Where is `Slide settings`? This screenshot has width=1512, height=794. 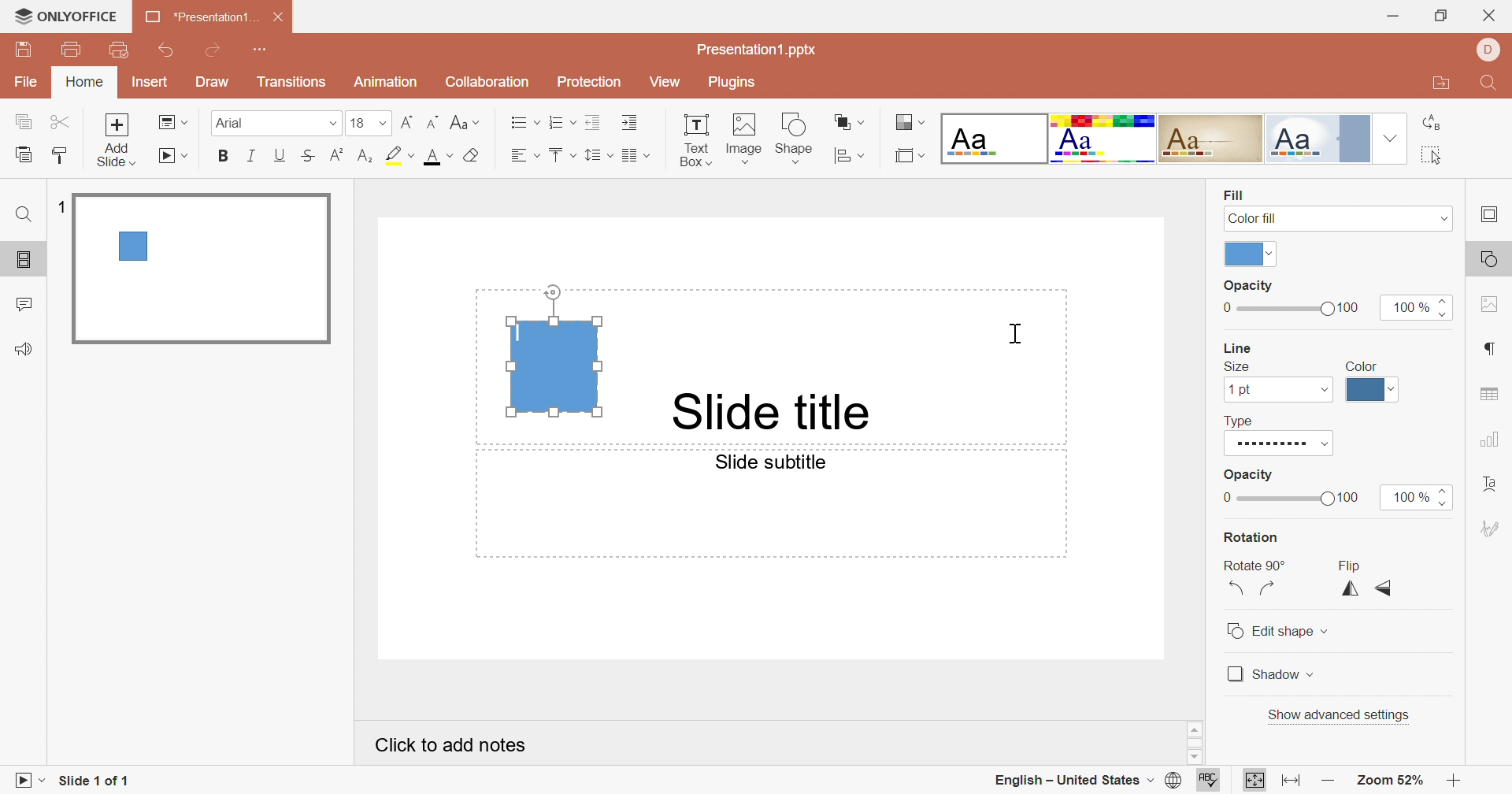
Slide settings is located at coordinates (1492, 216).